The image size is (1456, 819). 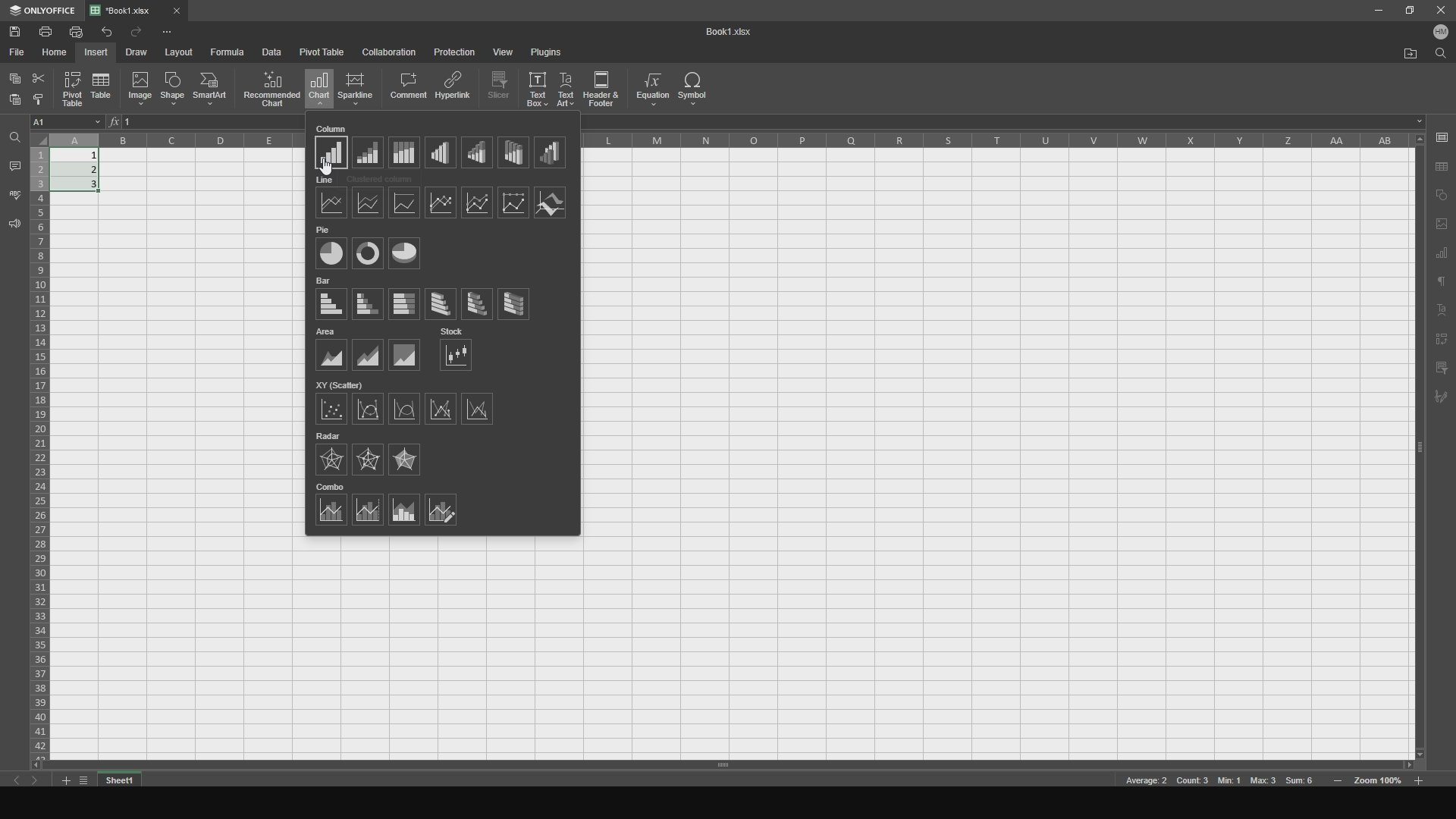 I want to click on collaboration, so click(x=391, y=52).